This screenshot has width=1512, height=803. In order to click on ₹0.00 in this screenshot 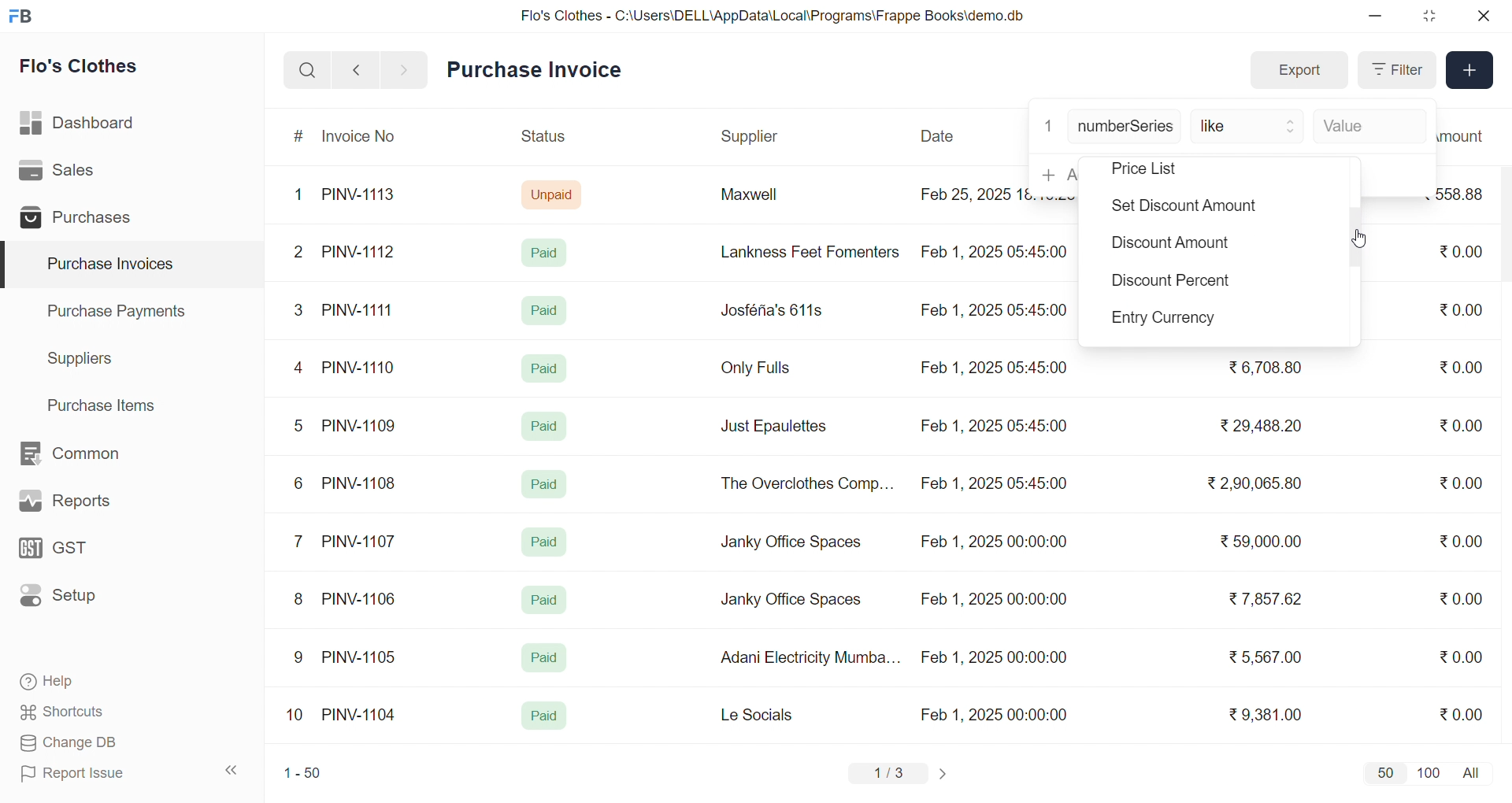, I will do `click(1463, 309)`.